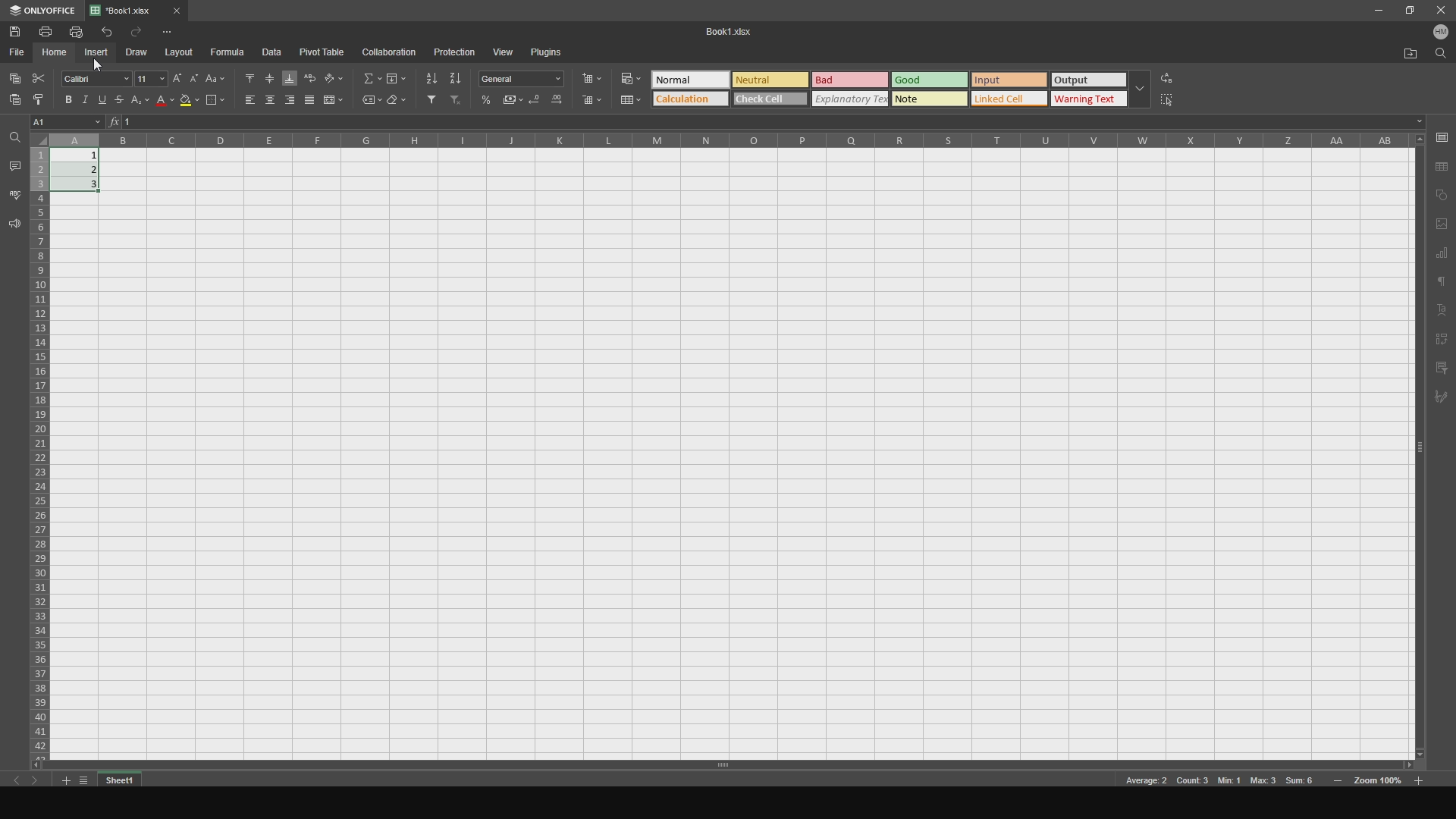  Describe the element at coordinates (1444, 400) in the screenshot. I see `signature` at that location.